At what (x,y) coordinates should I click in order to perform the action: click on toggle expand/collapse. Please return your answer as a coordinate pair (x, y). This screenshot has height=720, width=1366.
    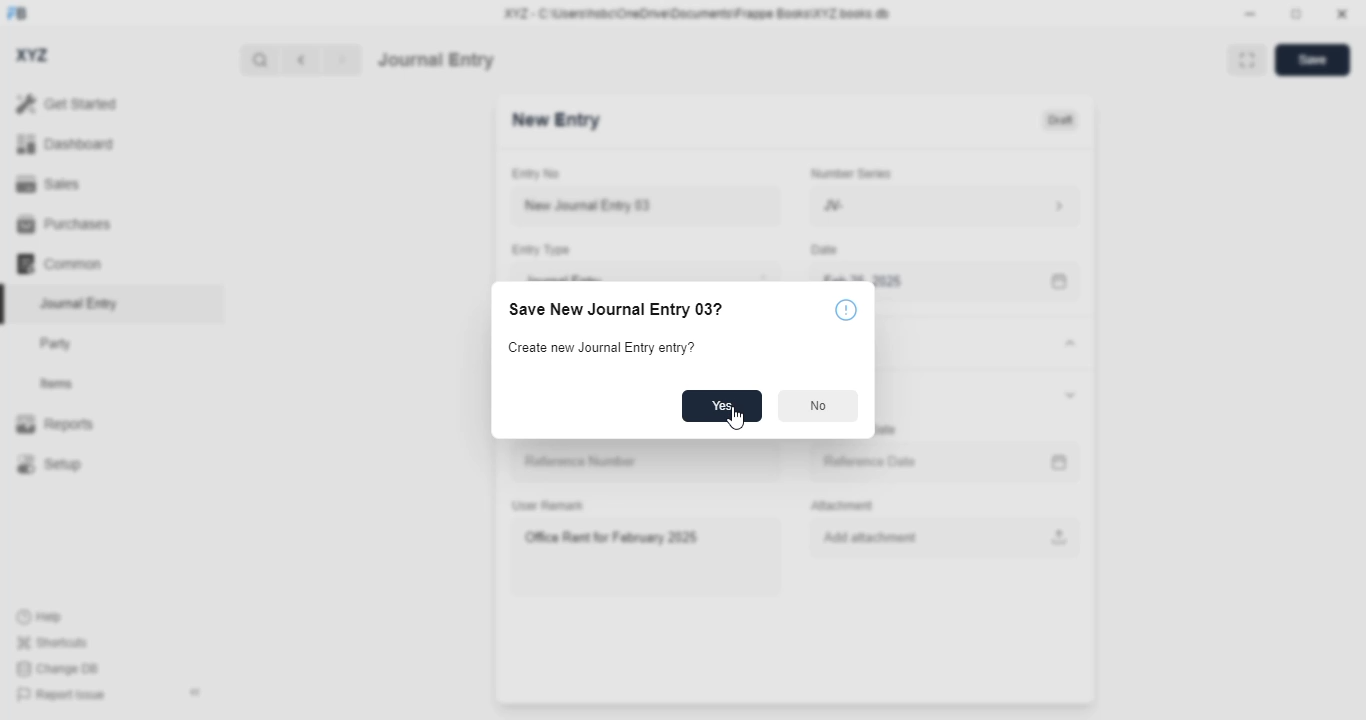
    Looking at the image, I should click on (1066, 343).